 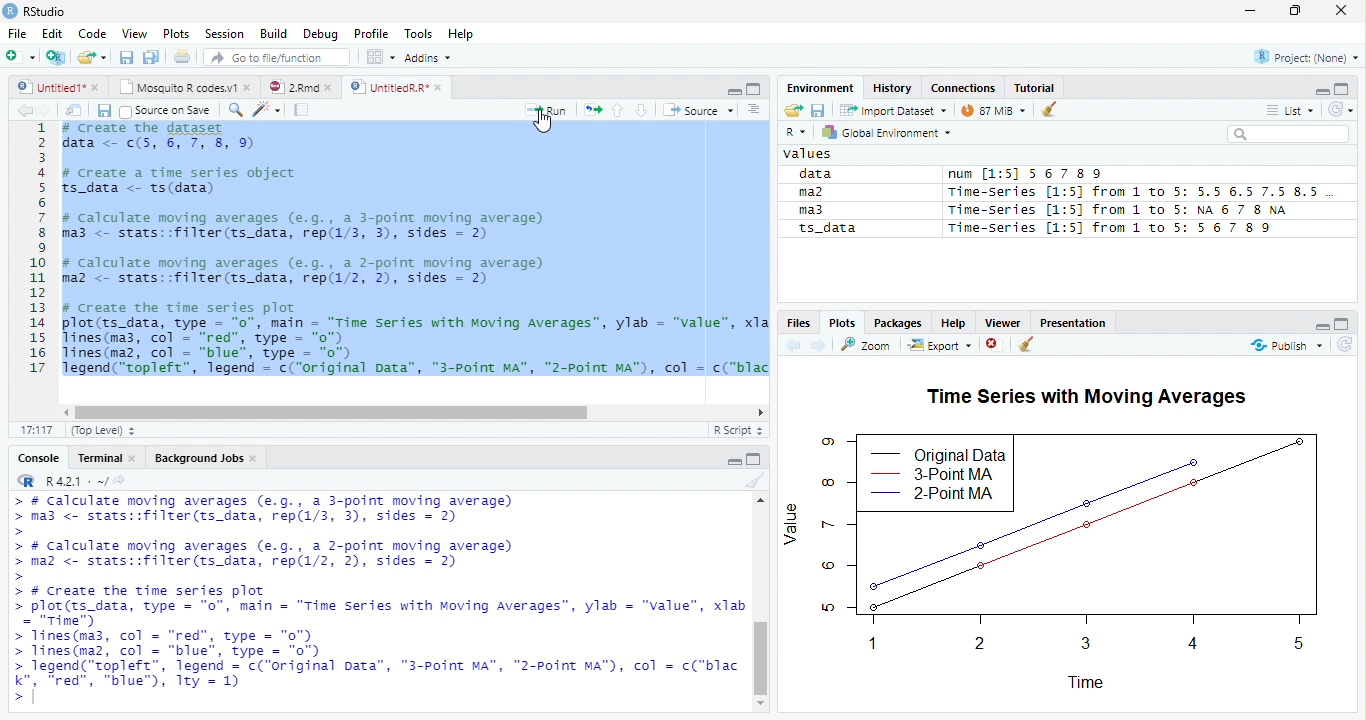 I want to click on New file, so click(x=19, y=57).